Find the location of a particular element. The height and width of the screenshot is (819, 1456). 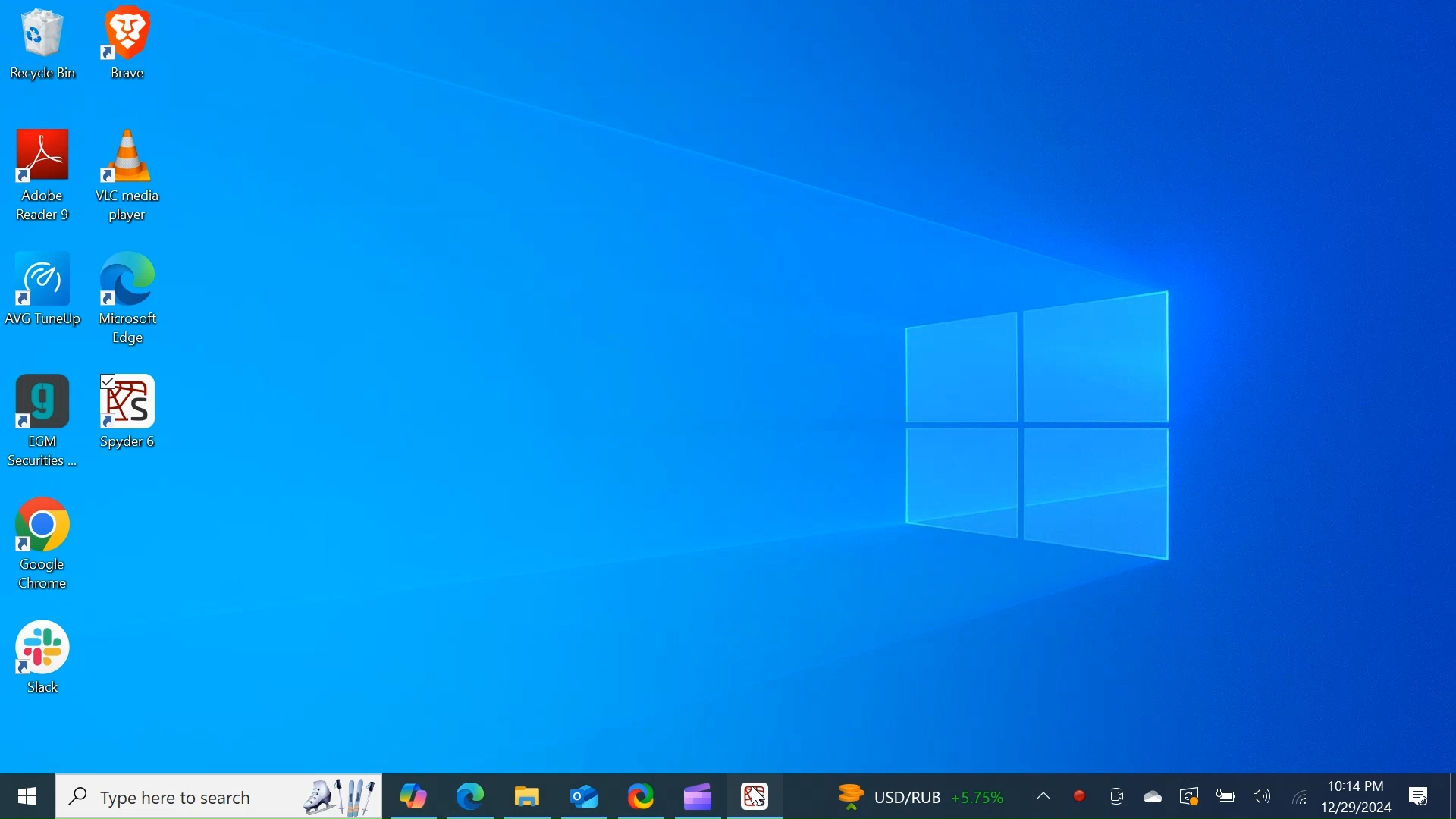

Adobe Reader Desktop Icon is located at coordinates (43, 175).